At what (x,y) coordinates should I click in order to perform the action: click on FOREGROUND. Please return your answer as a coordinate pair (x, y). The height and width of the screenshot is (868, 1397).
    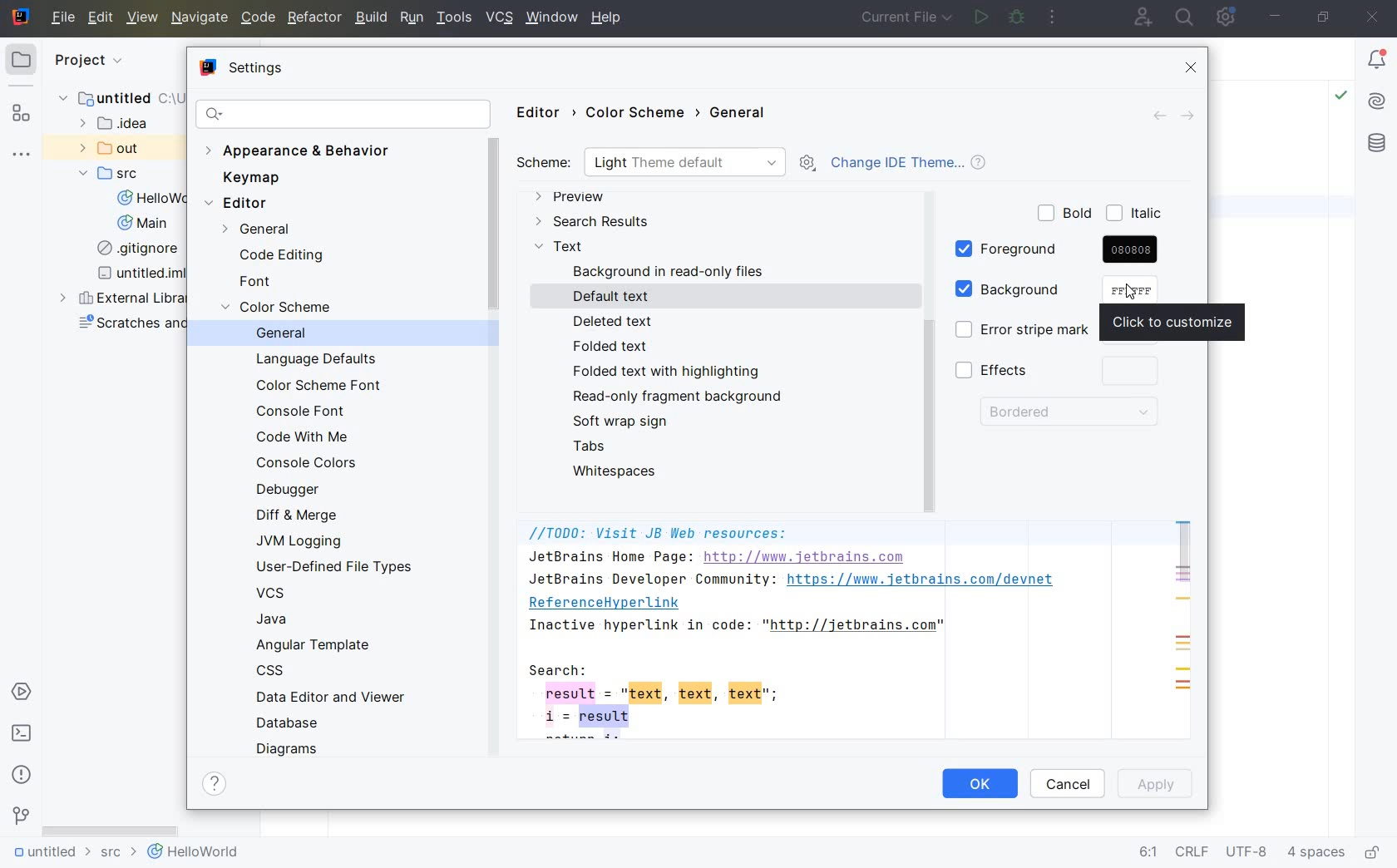
    Looking at the image, I should click on (1057, 250).